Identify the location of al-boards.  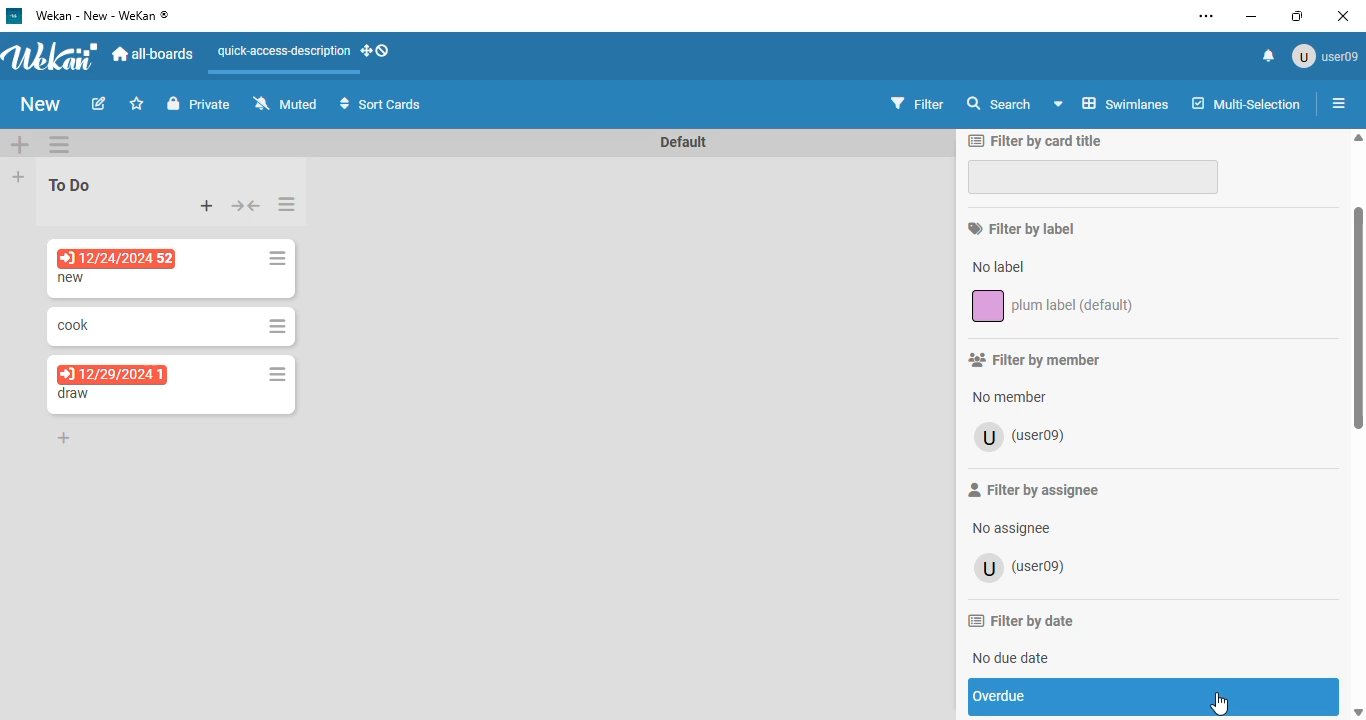
(154, 55).